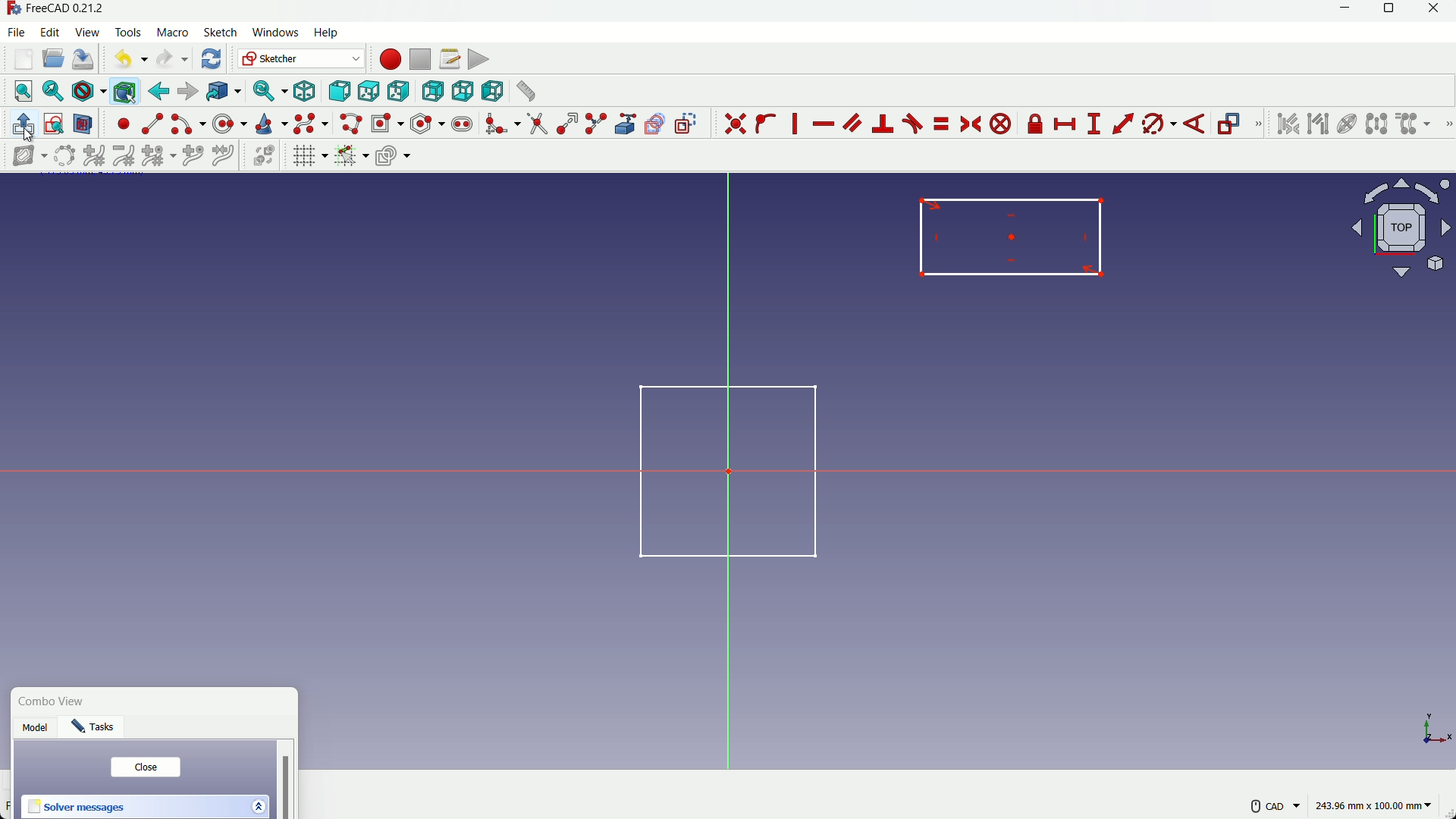 This screenshot has width=1456, height=819. Describe the element at coordinates (97, 730) in the screenshot. I see `tasks` at that location.